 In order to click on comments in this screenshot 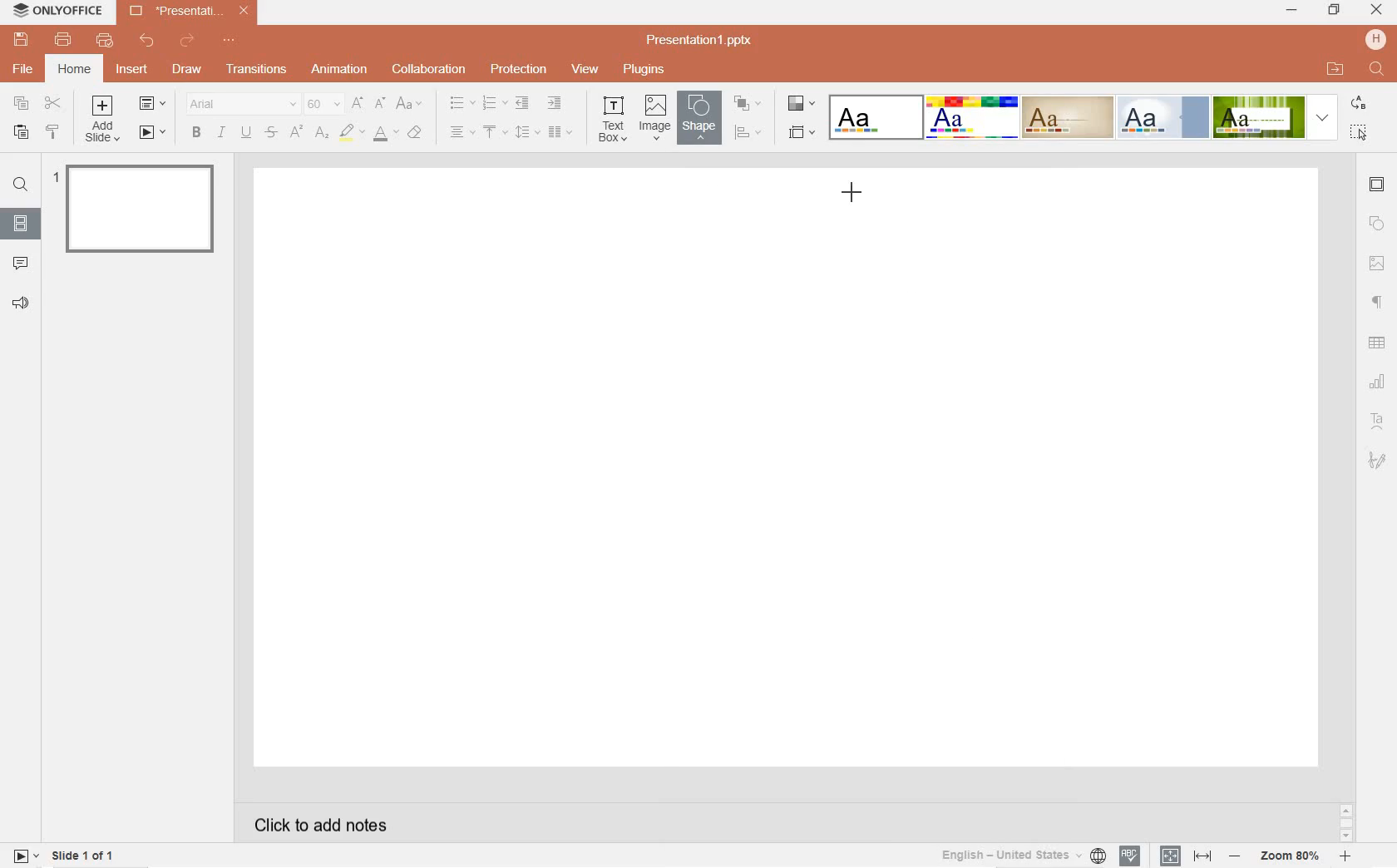, I will do `click(22, 262)`.